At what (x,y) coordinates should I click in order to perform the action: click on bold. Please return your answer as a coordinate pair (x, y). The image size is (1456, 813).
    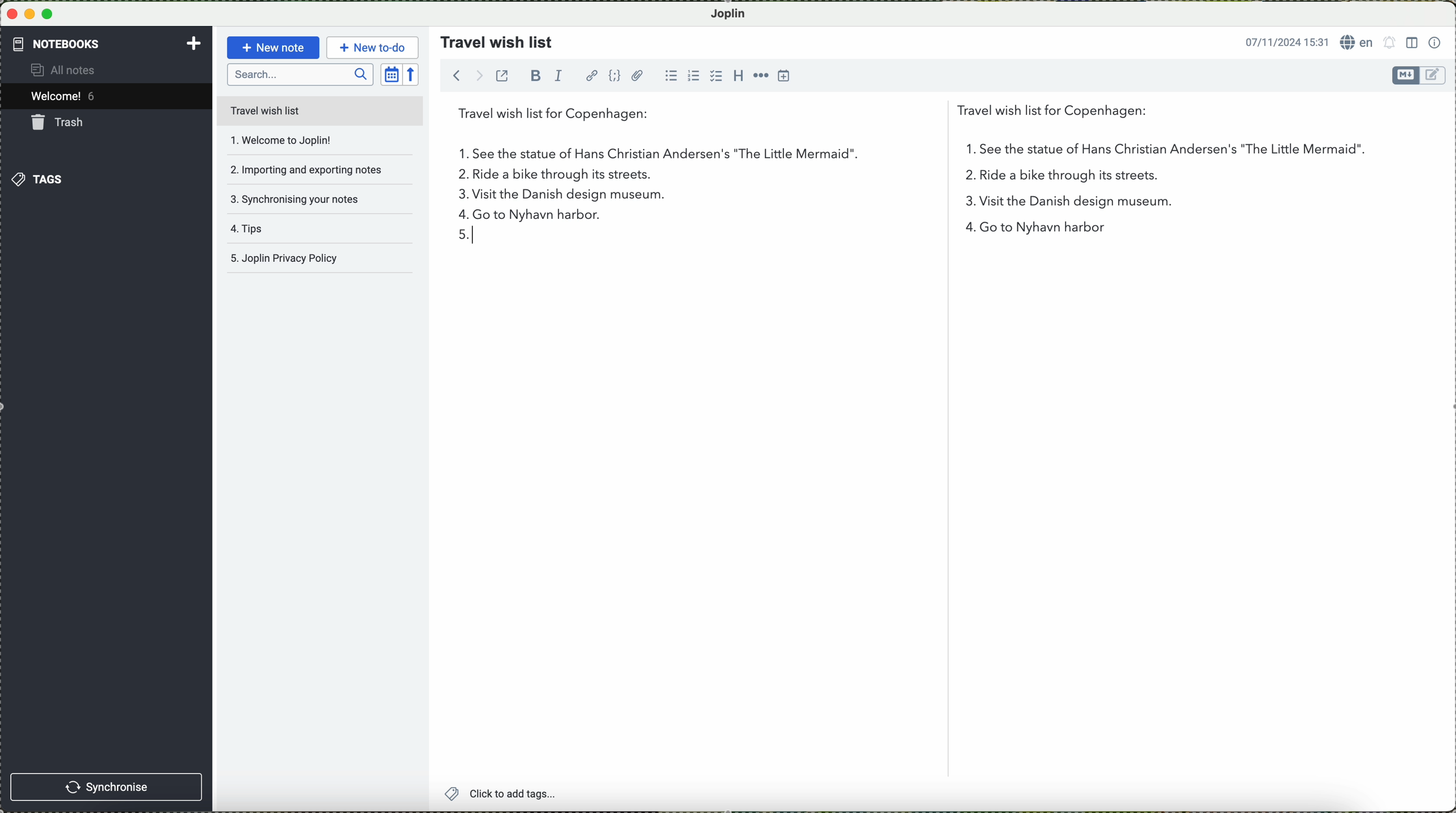
    Looking at the image, I should click on (536, 75).